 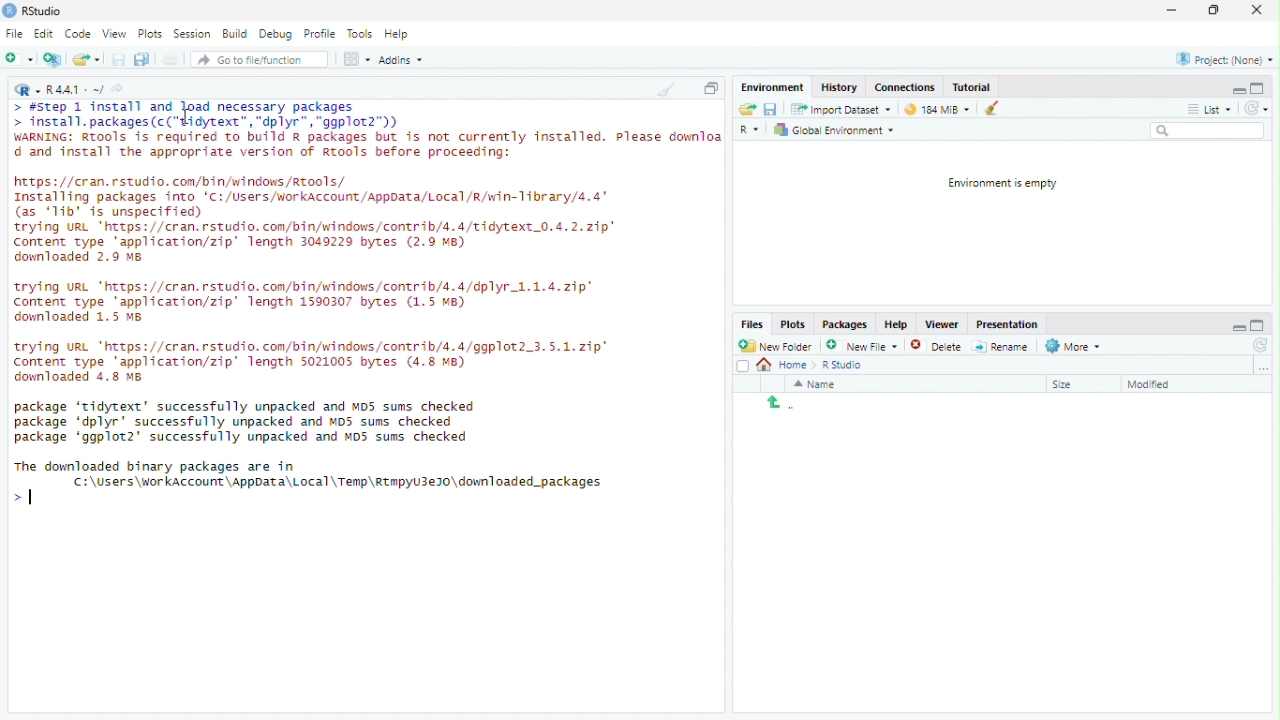 I want to click on New File, so click(x=860, y=345).